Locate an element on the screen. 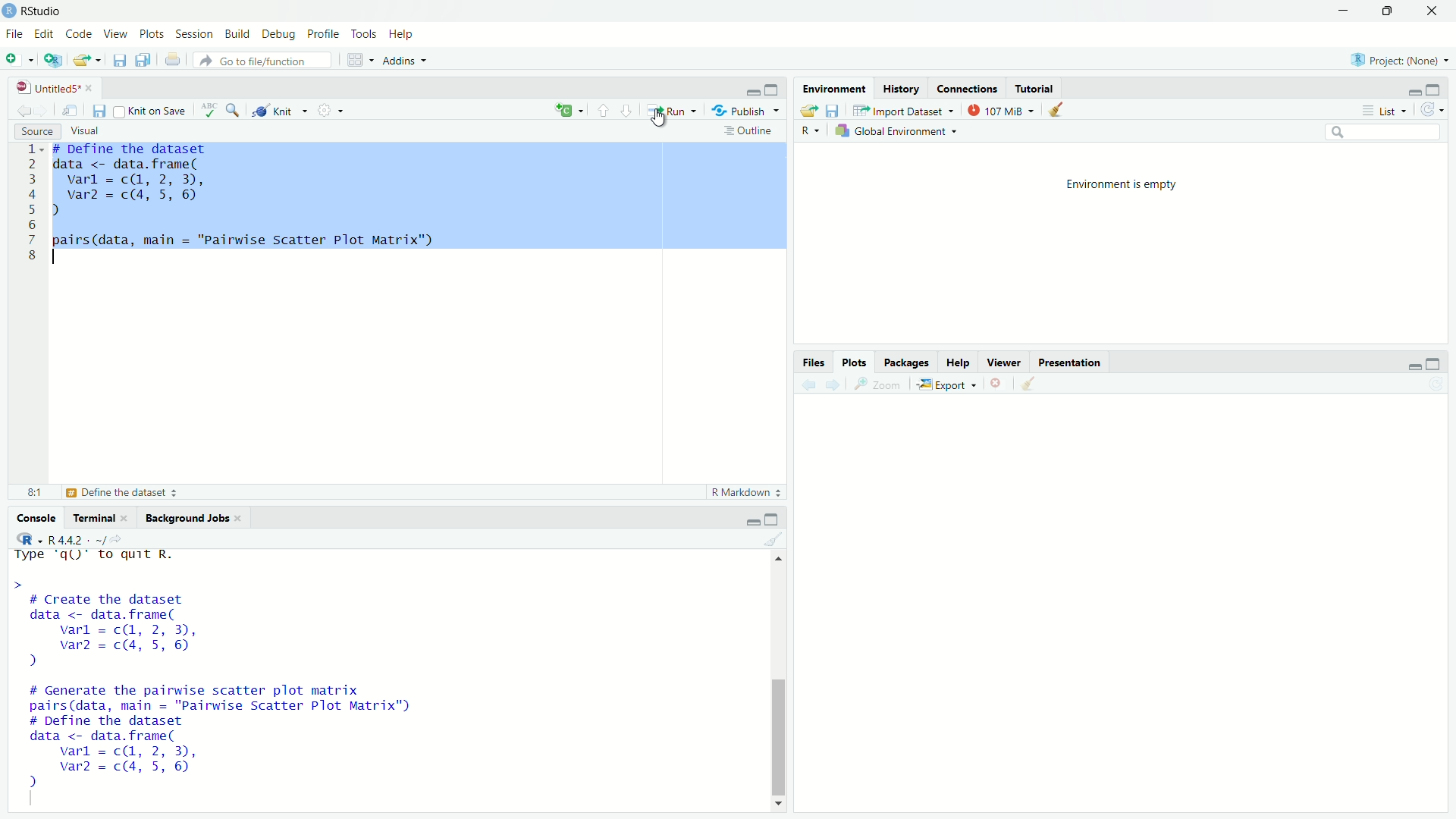  Find/Replace  is located at coordinates (233, 109).